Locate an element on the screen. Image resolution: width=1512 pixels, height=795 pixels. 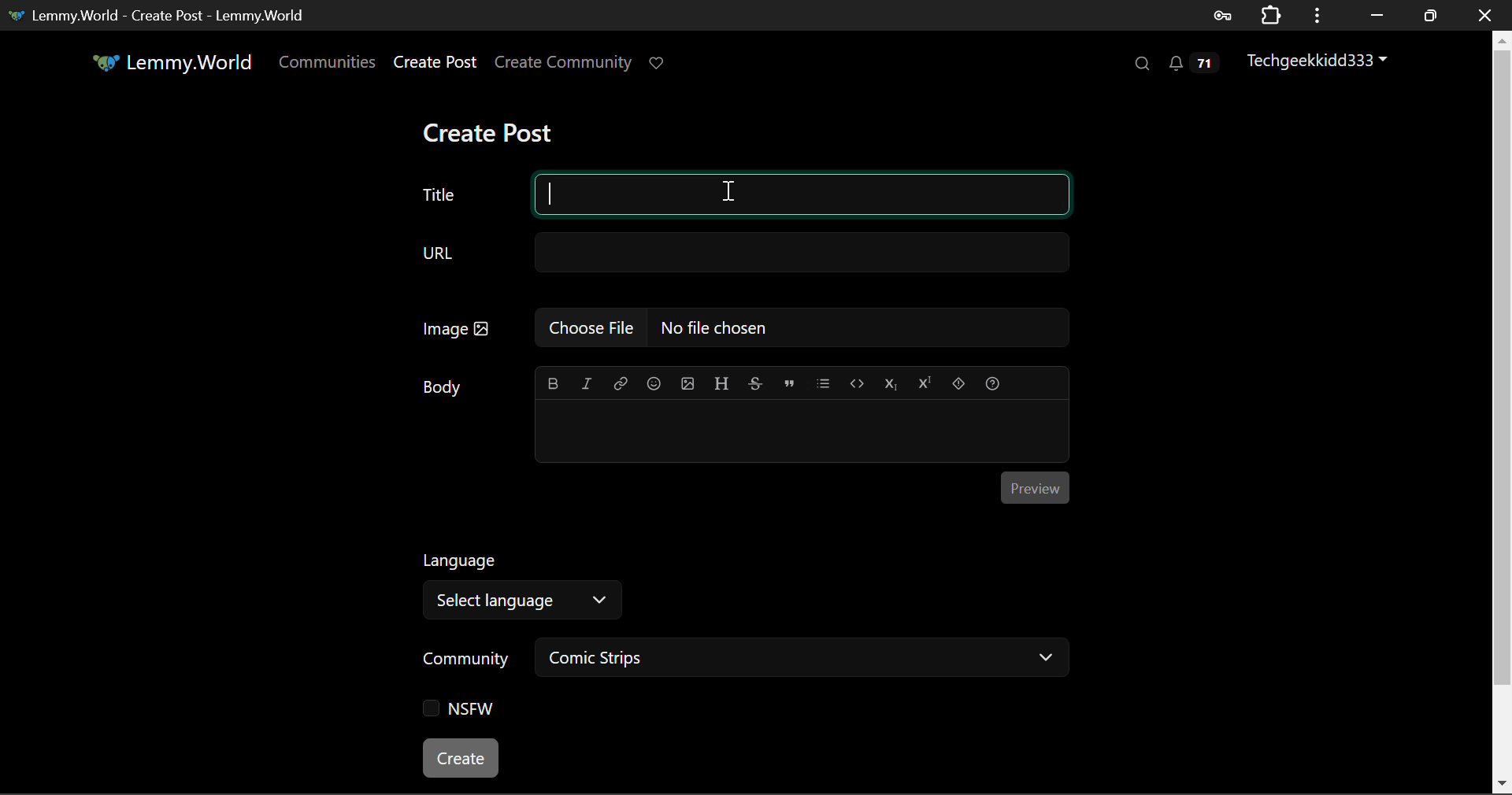
Create Post is located at coordinates (491, 128).